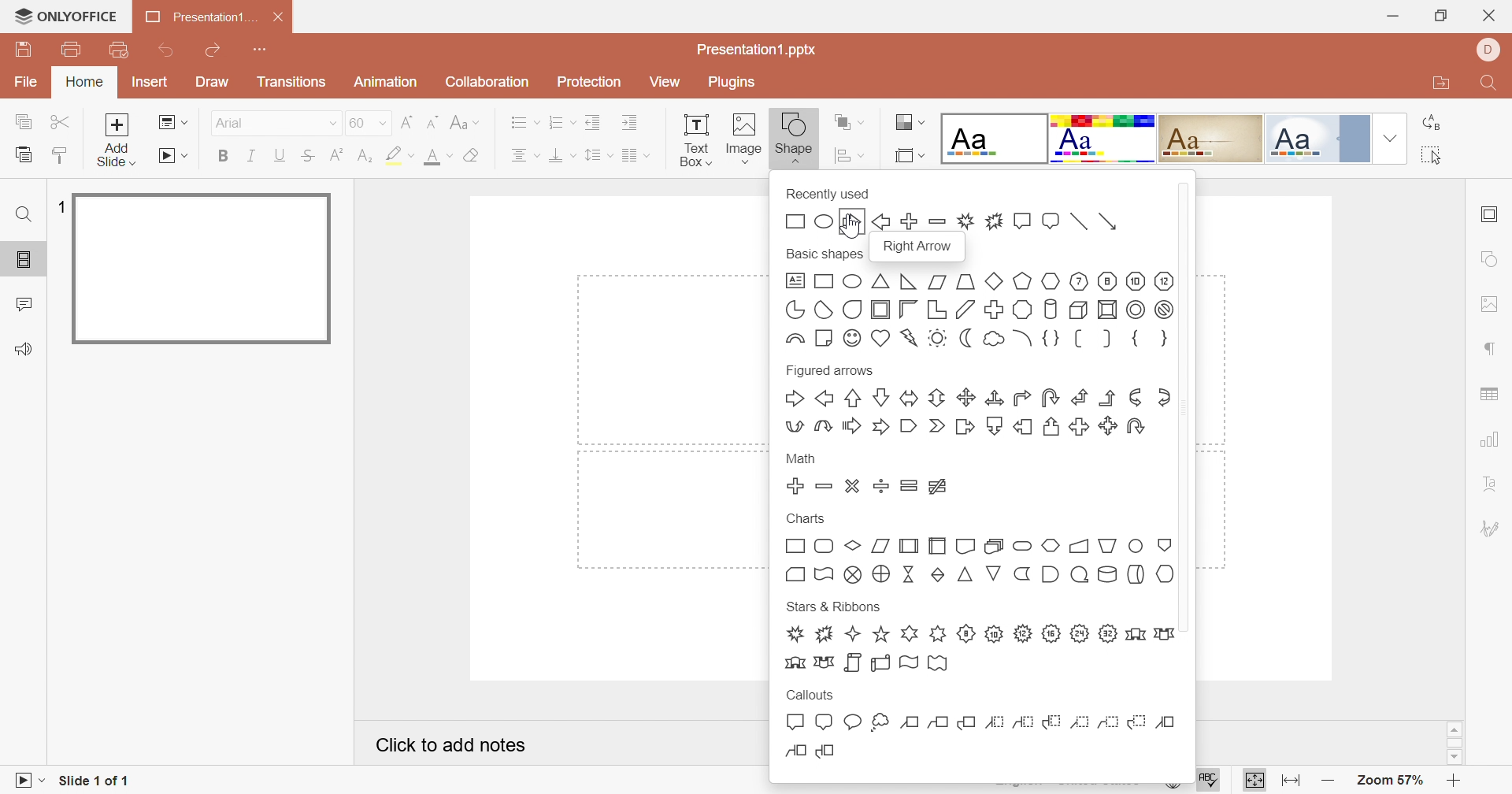  What do you see at coordinates (695, 141) in the screenshot?
I see `Text box` at bounding box center [695, 141].